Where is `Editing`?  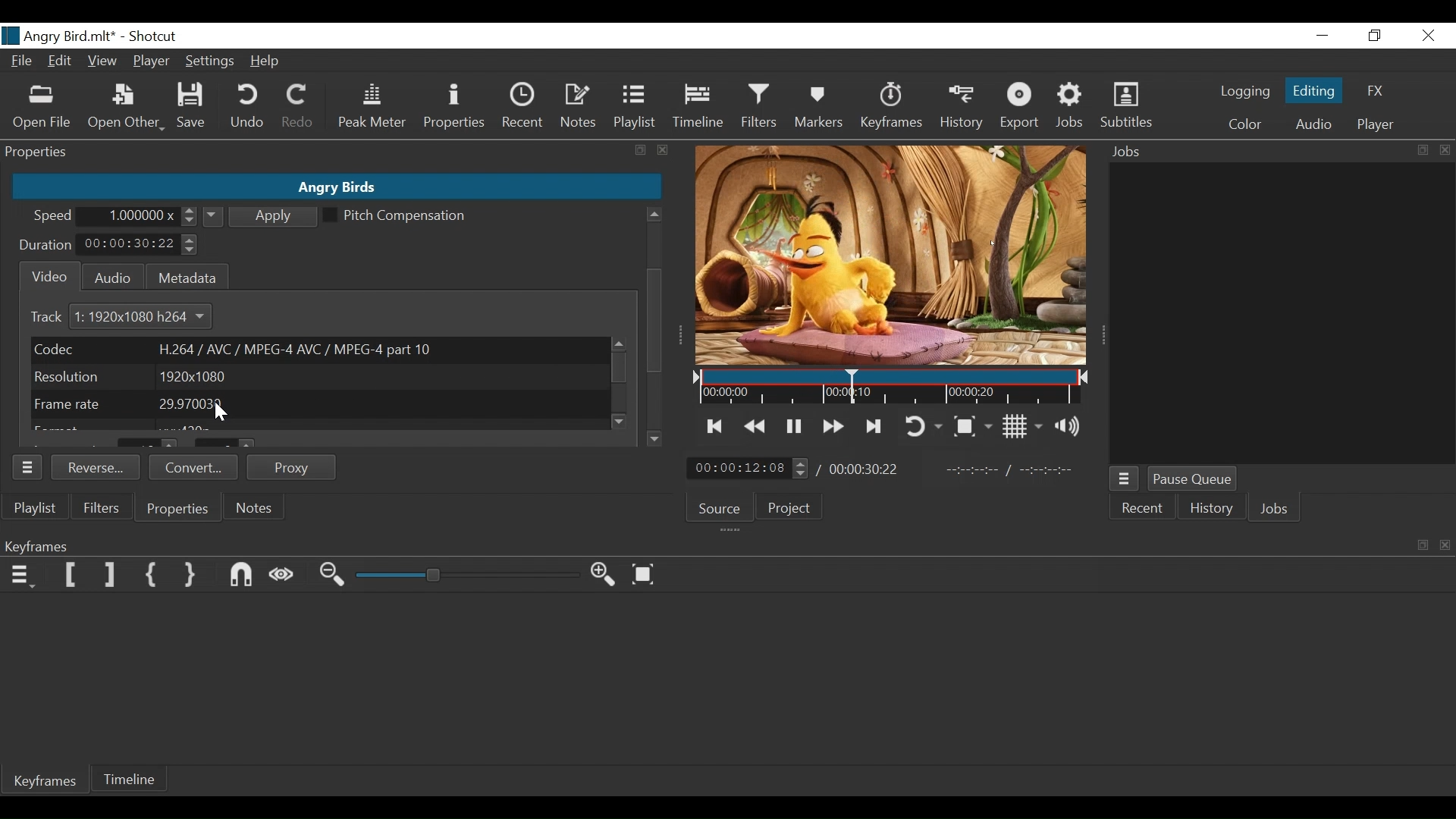 Editing is located at coordinates (1311, 90).